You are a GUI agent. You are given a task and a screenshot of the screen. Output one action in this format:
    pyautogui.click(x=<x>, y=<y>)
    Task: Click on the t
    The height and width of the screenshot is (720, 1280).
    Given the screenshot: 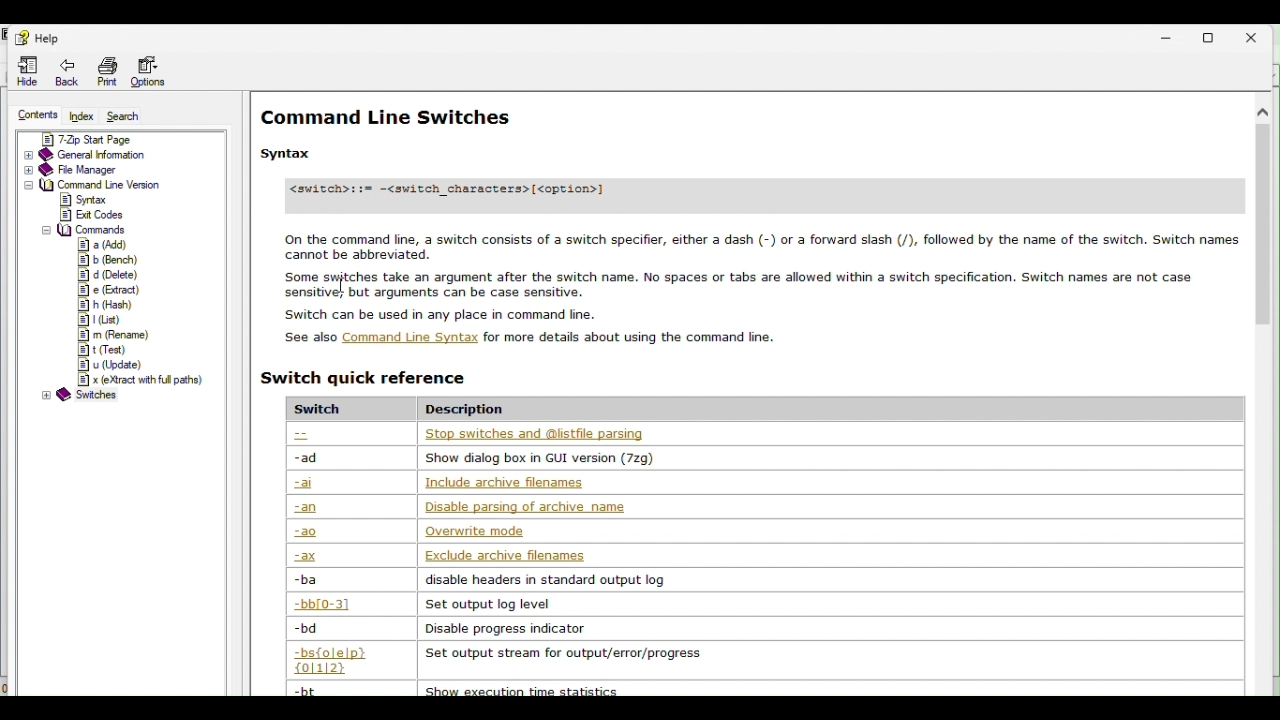 What is the action you would take?
    pyautogui.click(x=124, y=350)
    